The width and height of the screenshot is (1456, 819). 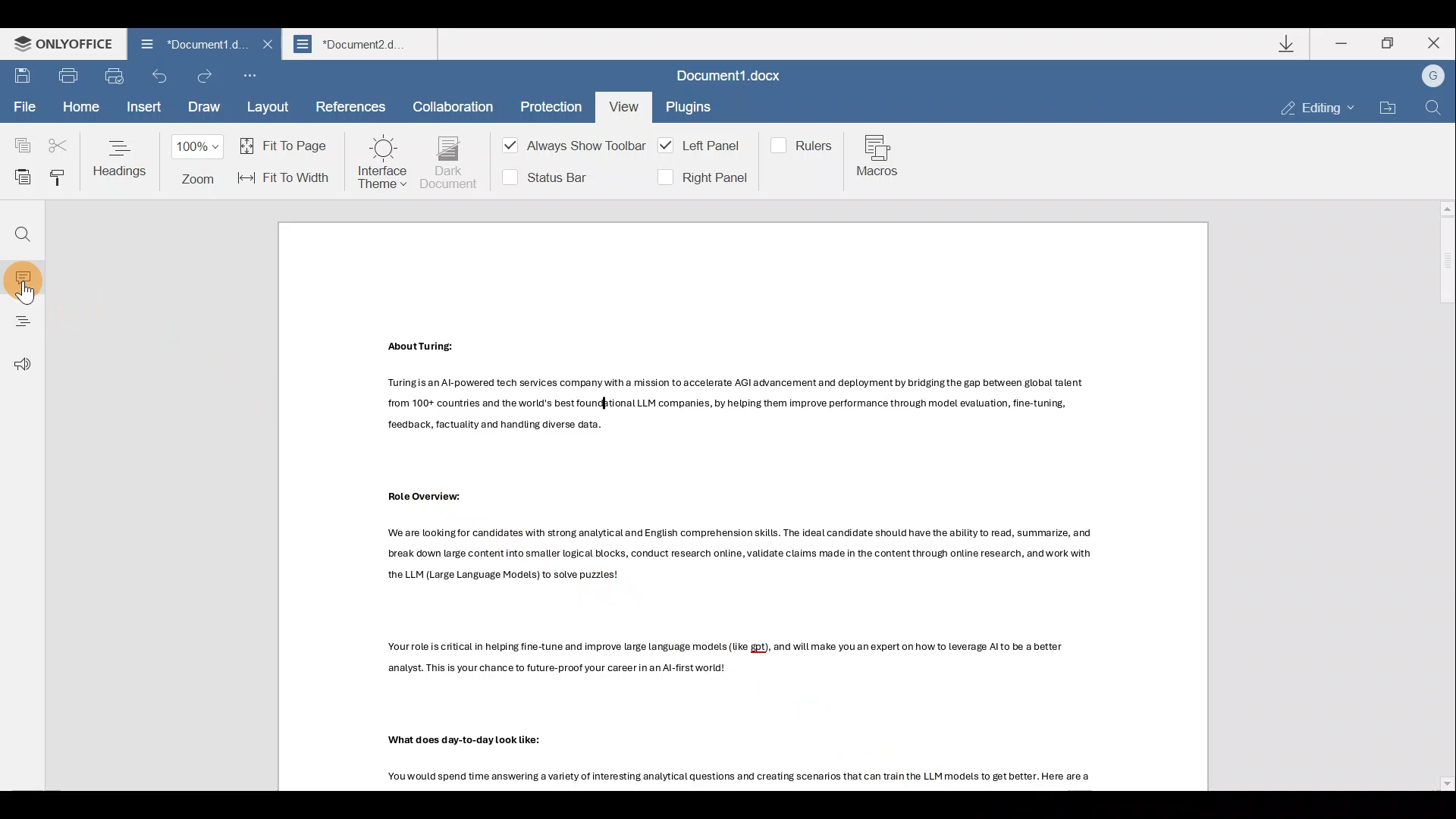 What do you see at coordinates (265, 49) in the screenshot?
I see `Close` at bounding box center [265, 49].